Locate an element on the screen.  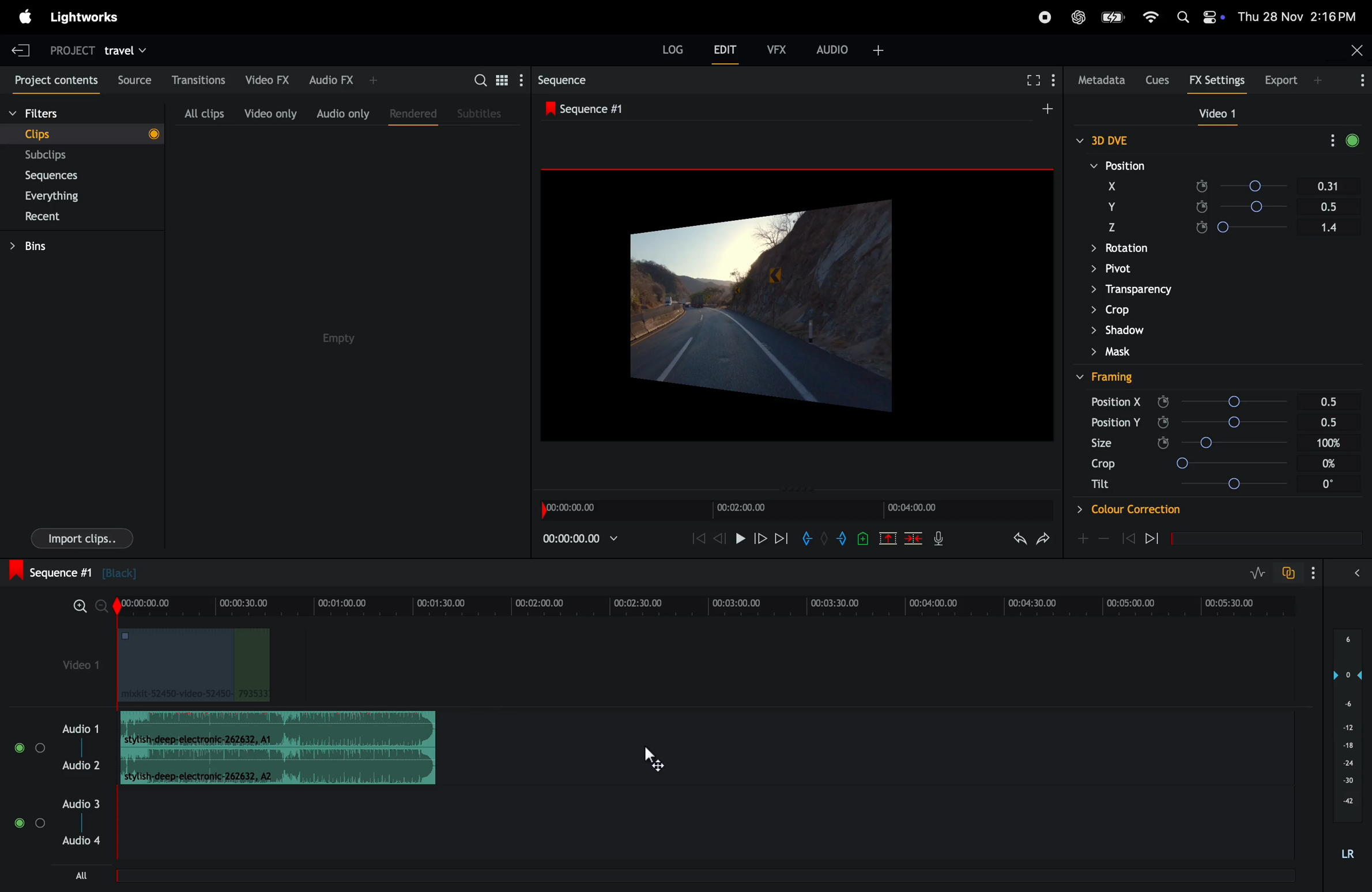
remove key frame  is located at coordinates (1104, 538).